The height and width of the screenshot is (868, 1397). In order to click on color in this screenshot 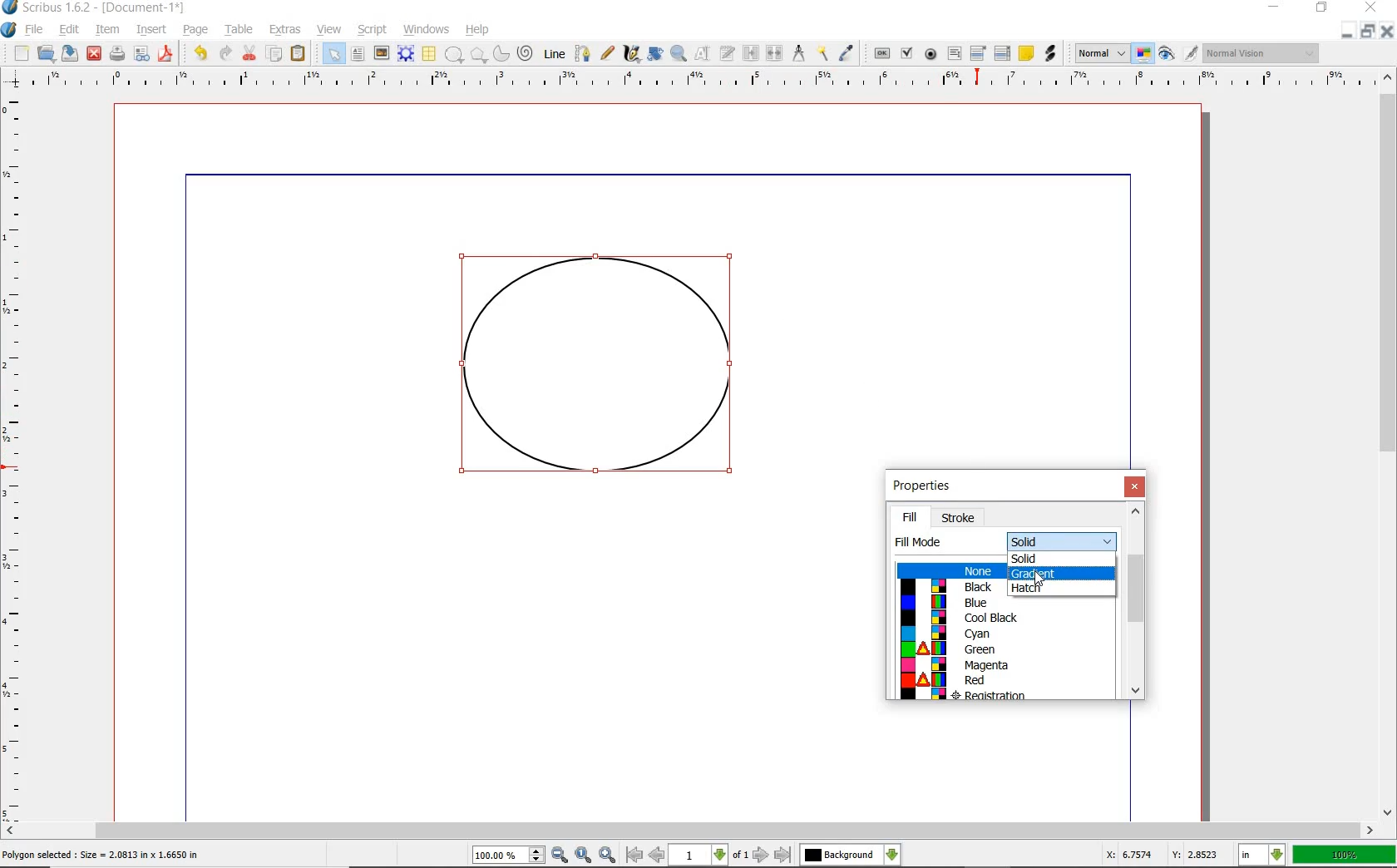, I will do `click(1004, 618)`.